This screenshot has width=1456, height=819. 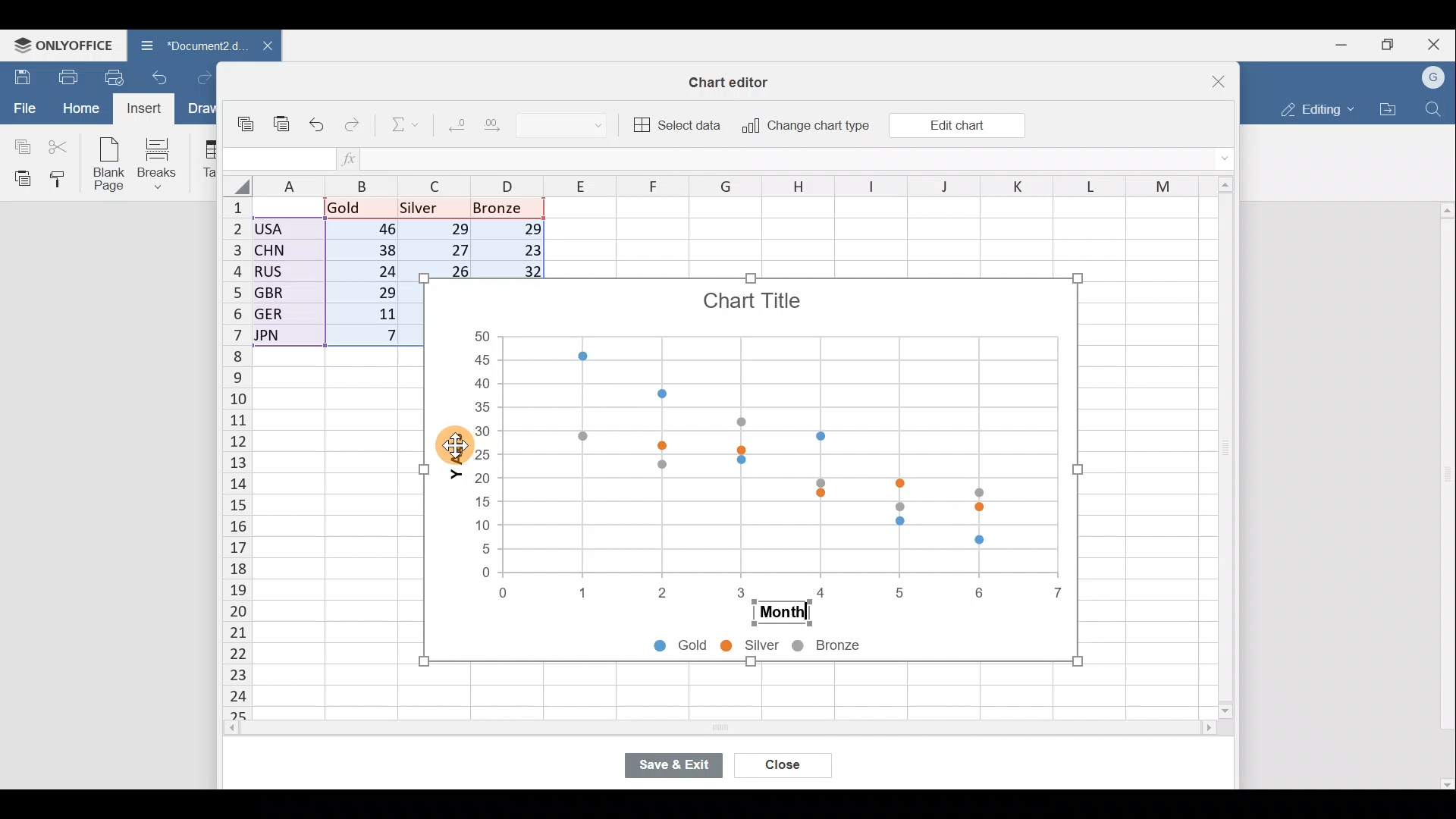 I want to click on Breaks, so click(x=165, y=162).